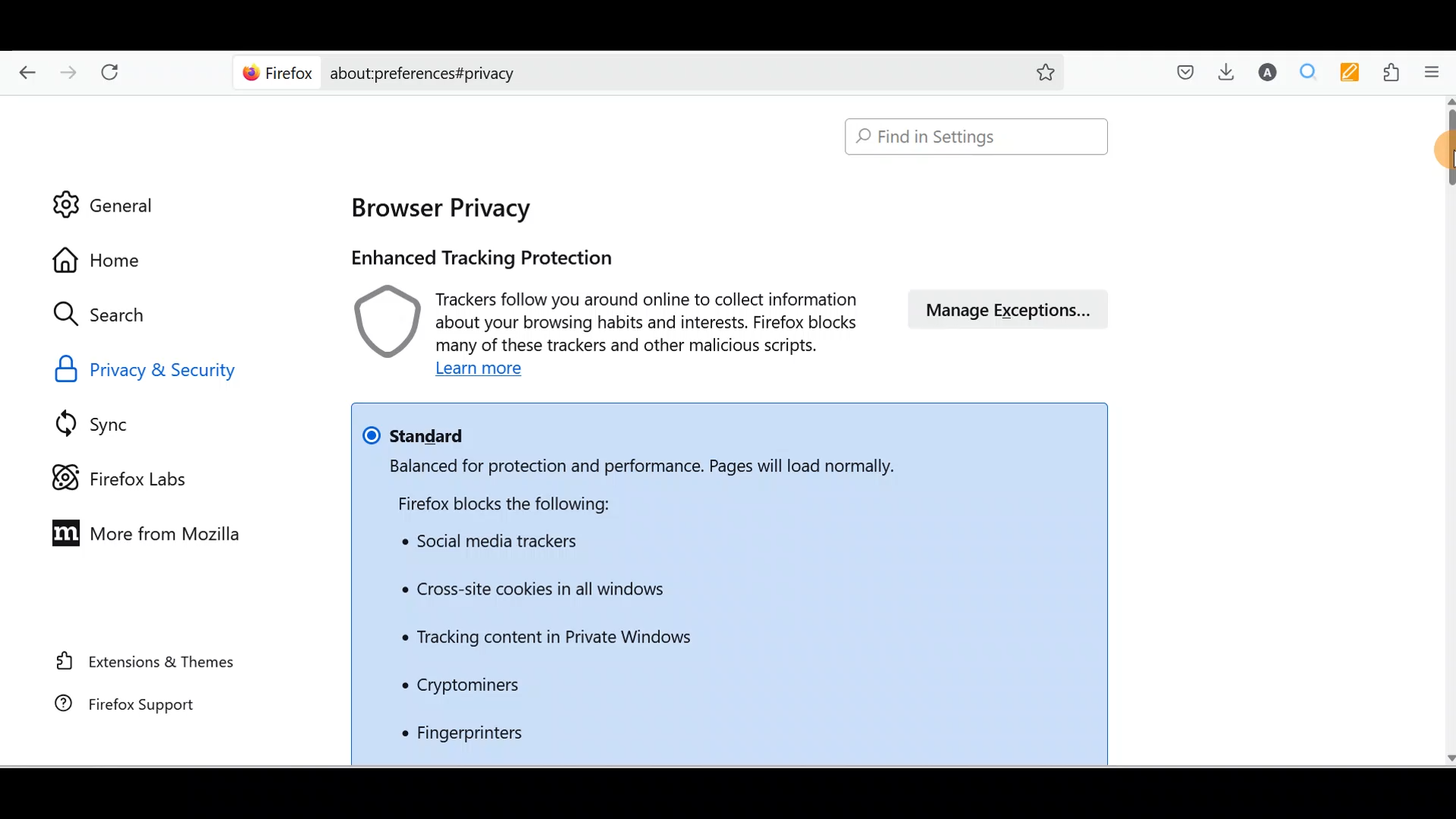  I want to click on Enhanced Tracking Protection, so click(481, 257).